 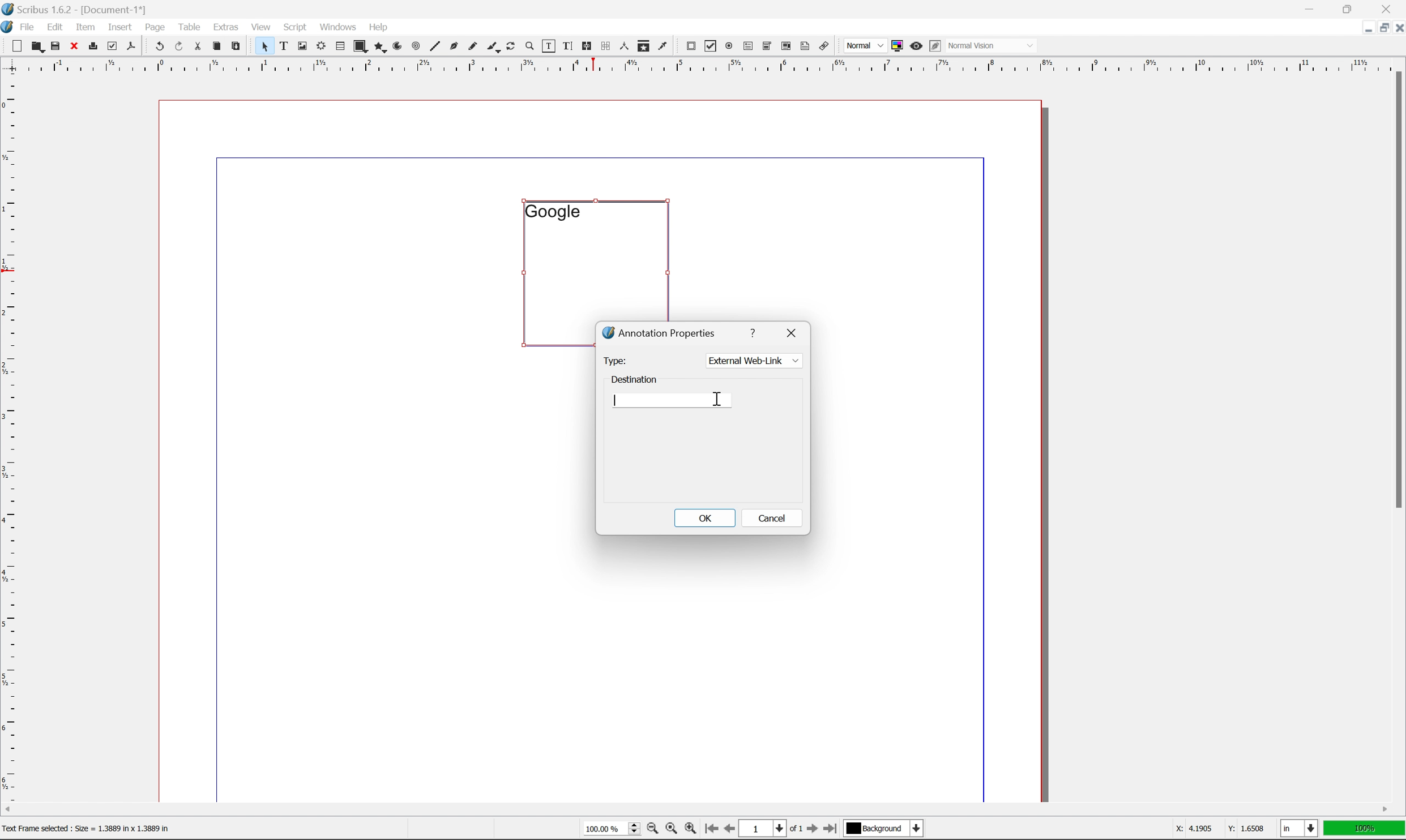 What do you see at coordinates (320, 45) in the screenshot?
I see `render frame` at bounding box center [320, 45].